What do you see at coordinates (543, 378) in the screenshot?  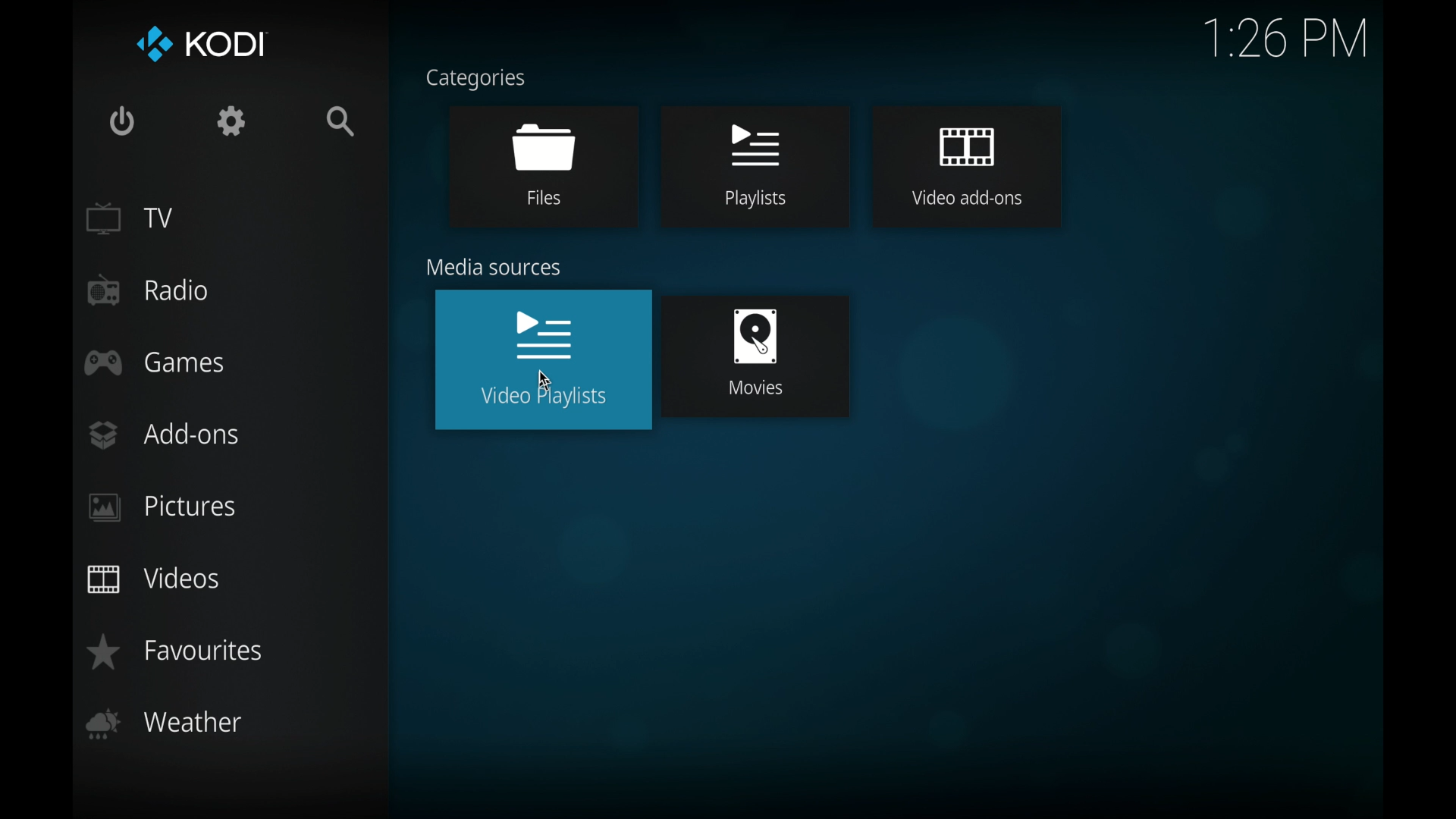 I see `cursor` at bounding box center [543, 378].